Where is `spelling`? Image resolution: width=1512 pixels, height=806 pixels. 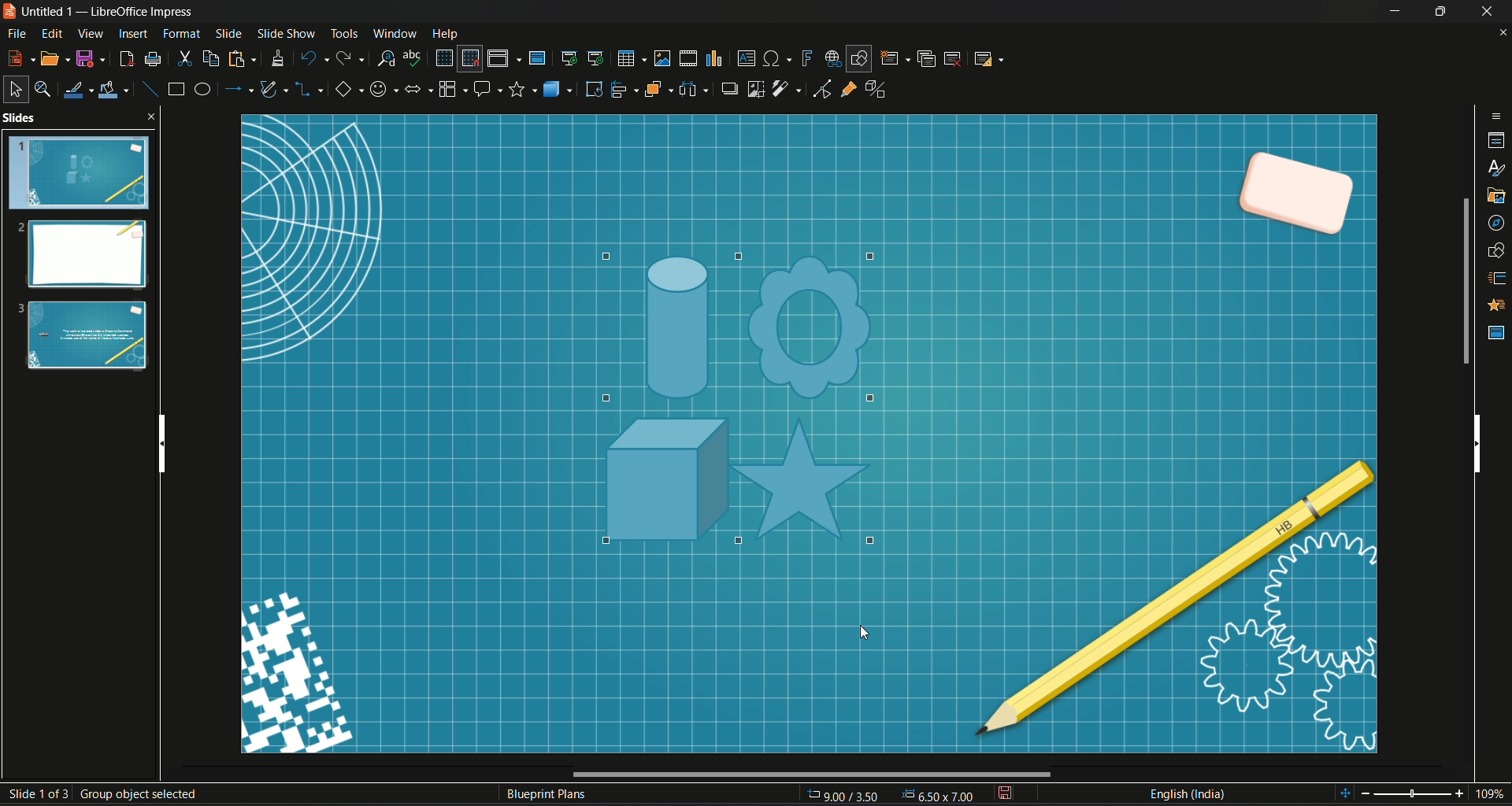
spelling is located at coordinates (413, 57).